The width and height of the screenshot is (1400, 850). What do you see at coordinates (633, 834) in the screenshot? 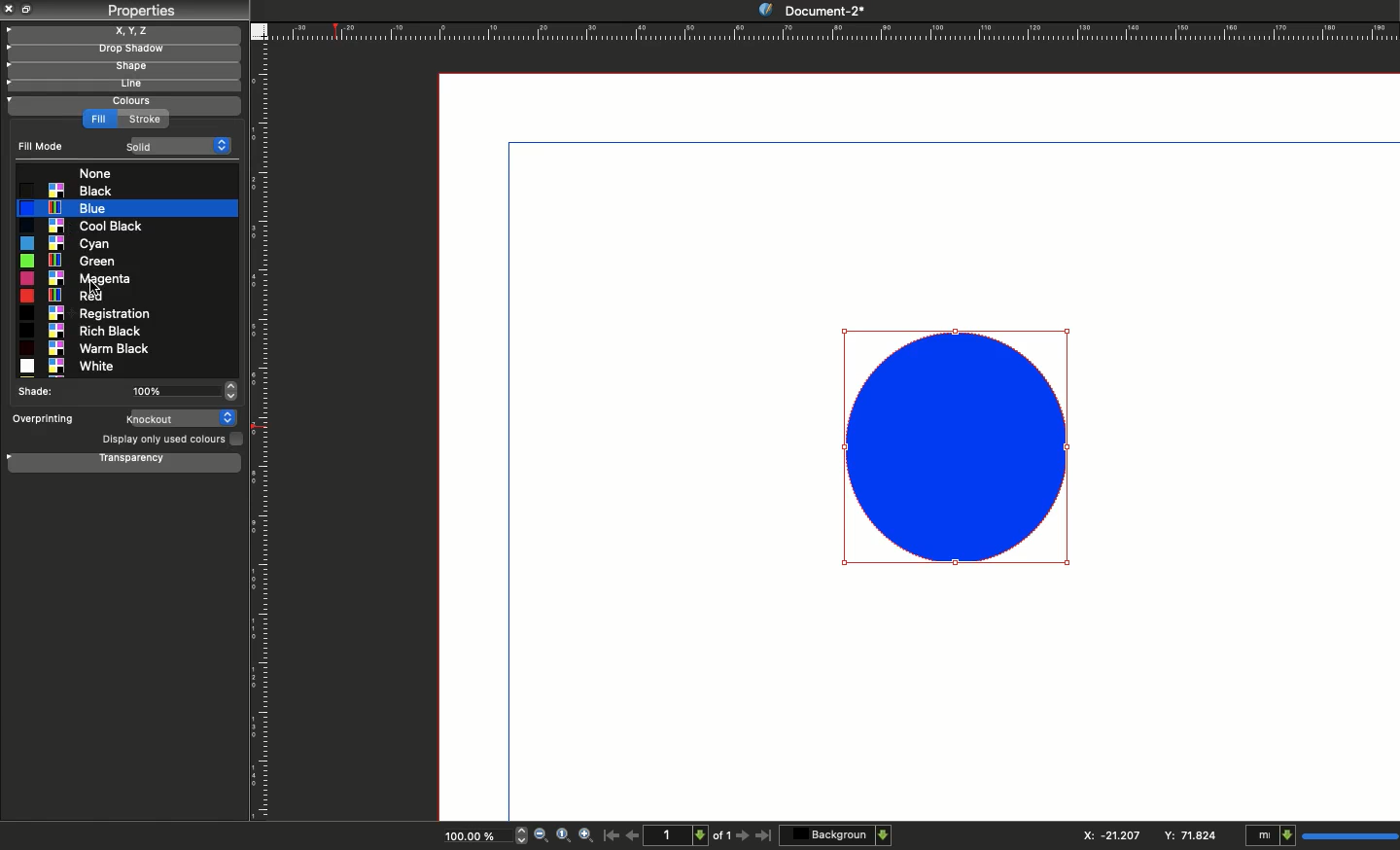
I see `Previous page` at bounding box center [633, 834].